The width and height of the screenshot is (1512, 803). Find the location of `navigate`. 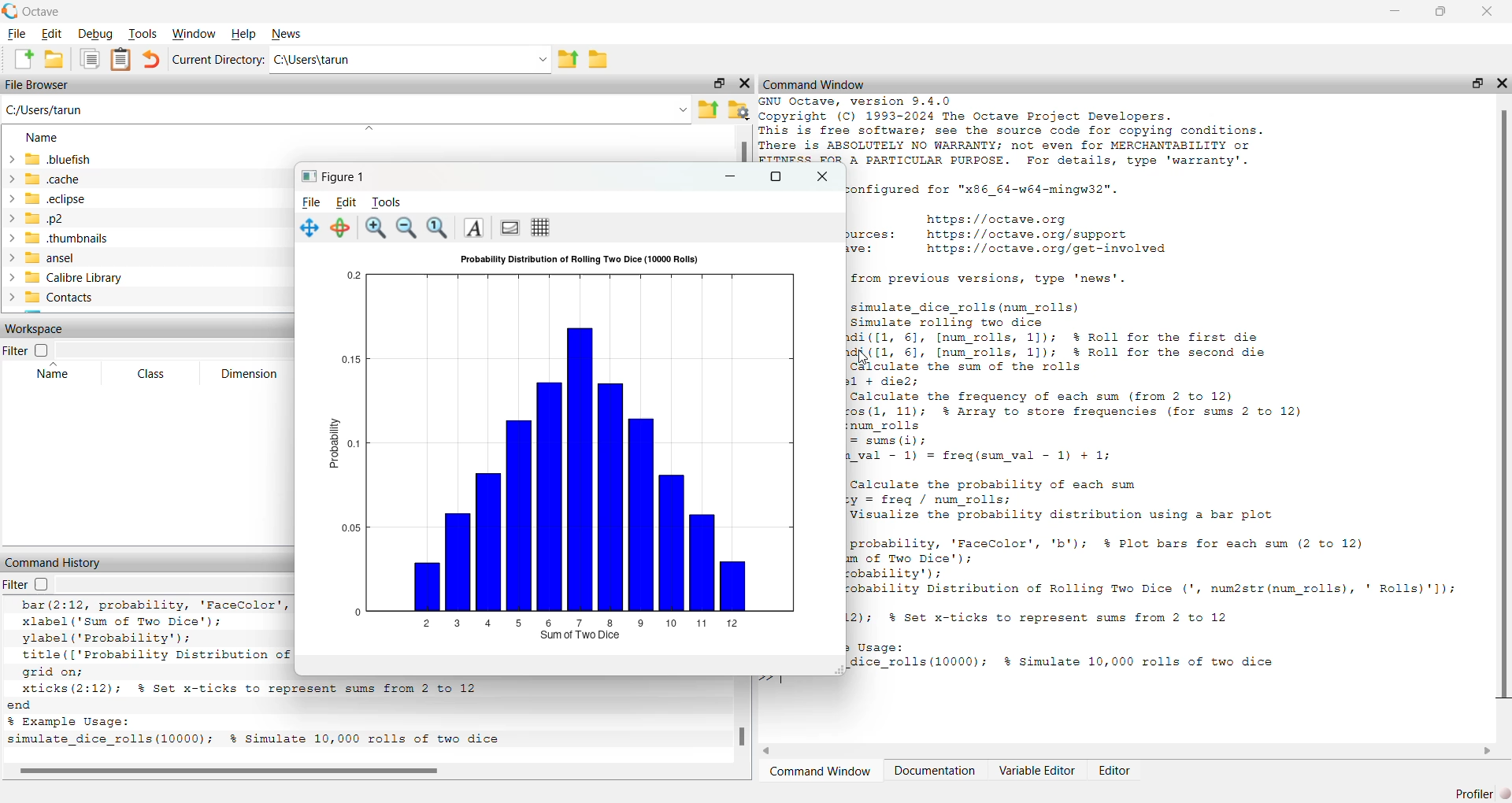

navigate is located at coordinates (307, 228).